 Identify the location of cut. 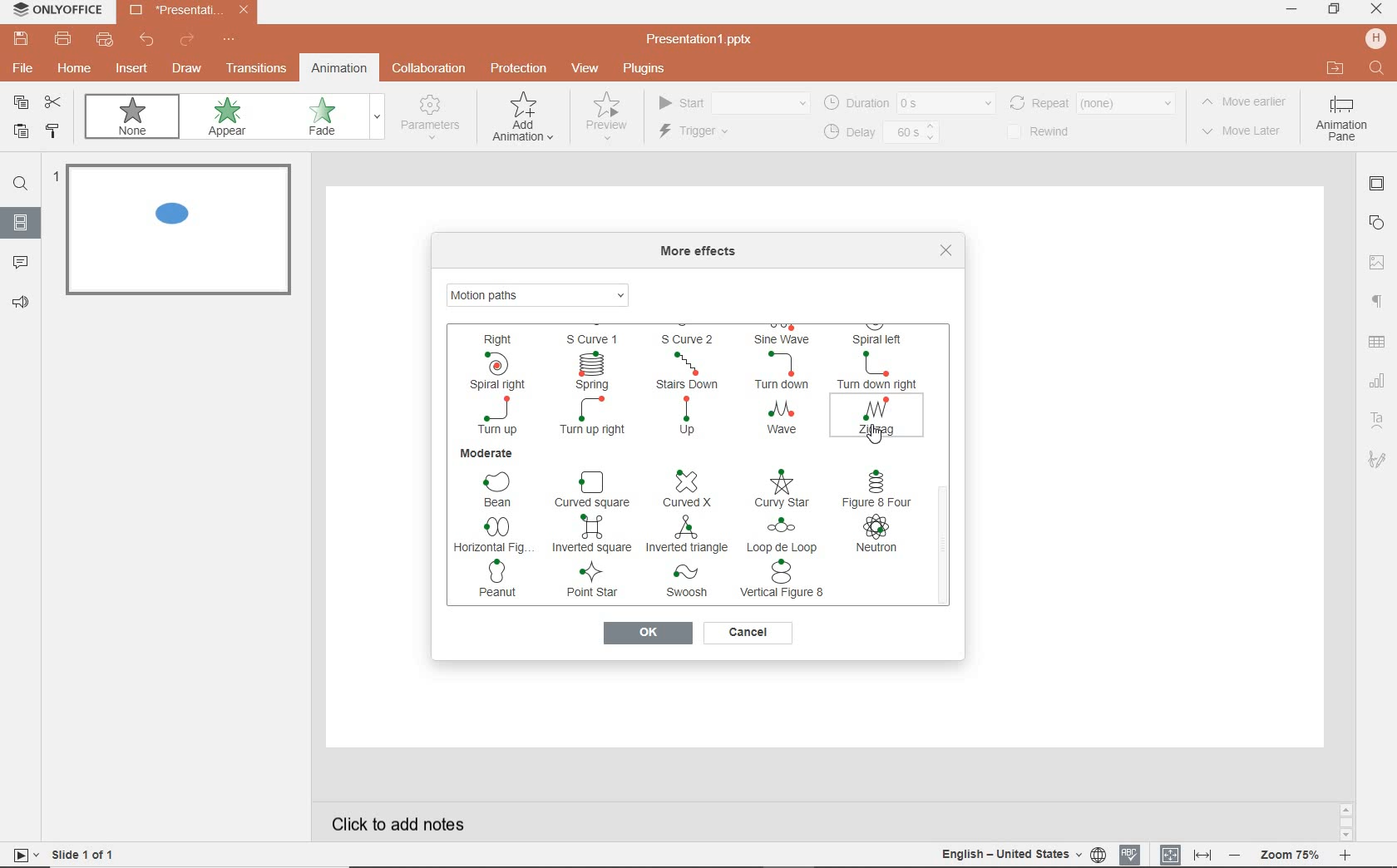
(57, 103).